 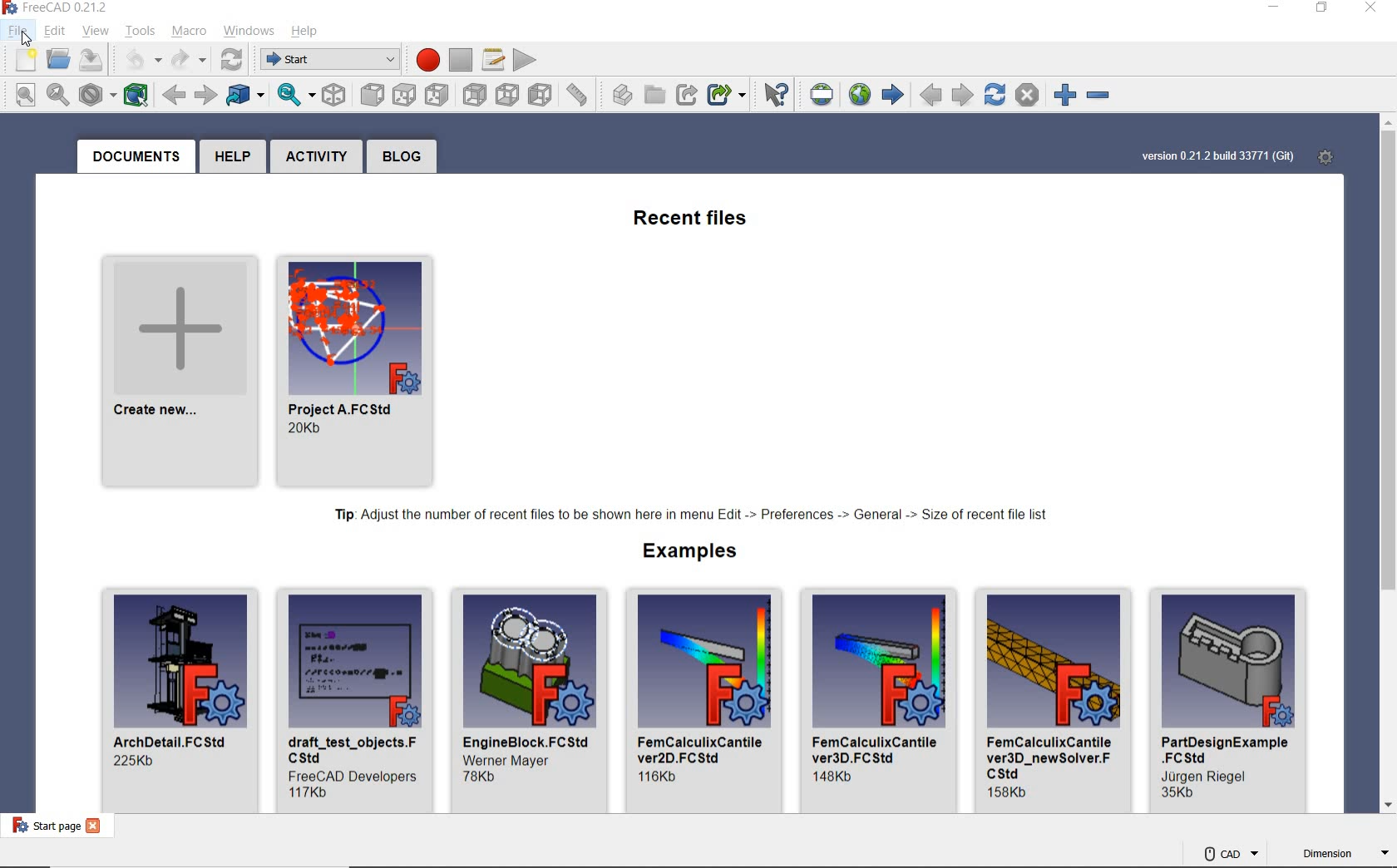 What do you see at coordinates (963, 94) in the screenshot?
I see `NEXT PAGE` at bounding box center [963, 94].